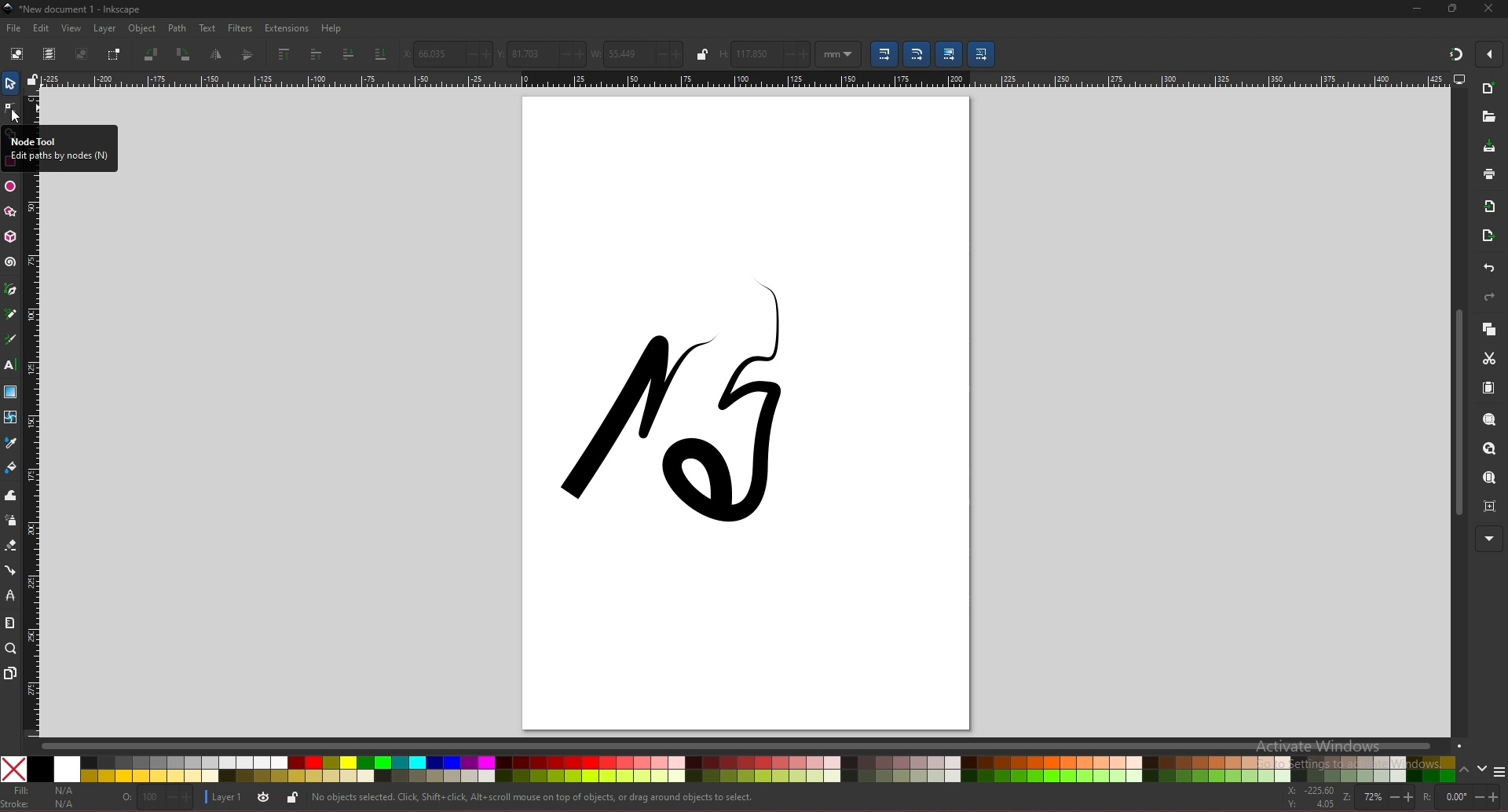 The width and height of the screenshot is (1508, 812). I want to click on snapping, so click(1456, 54).